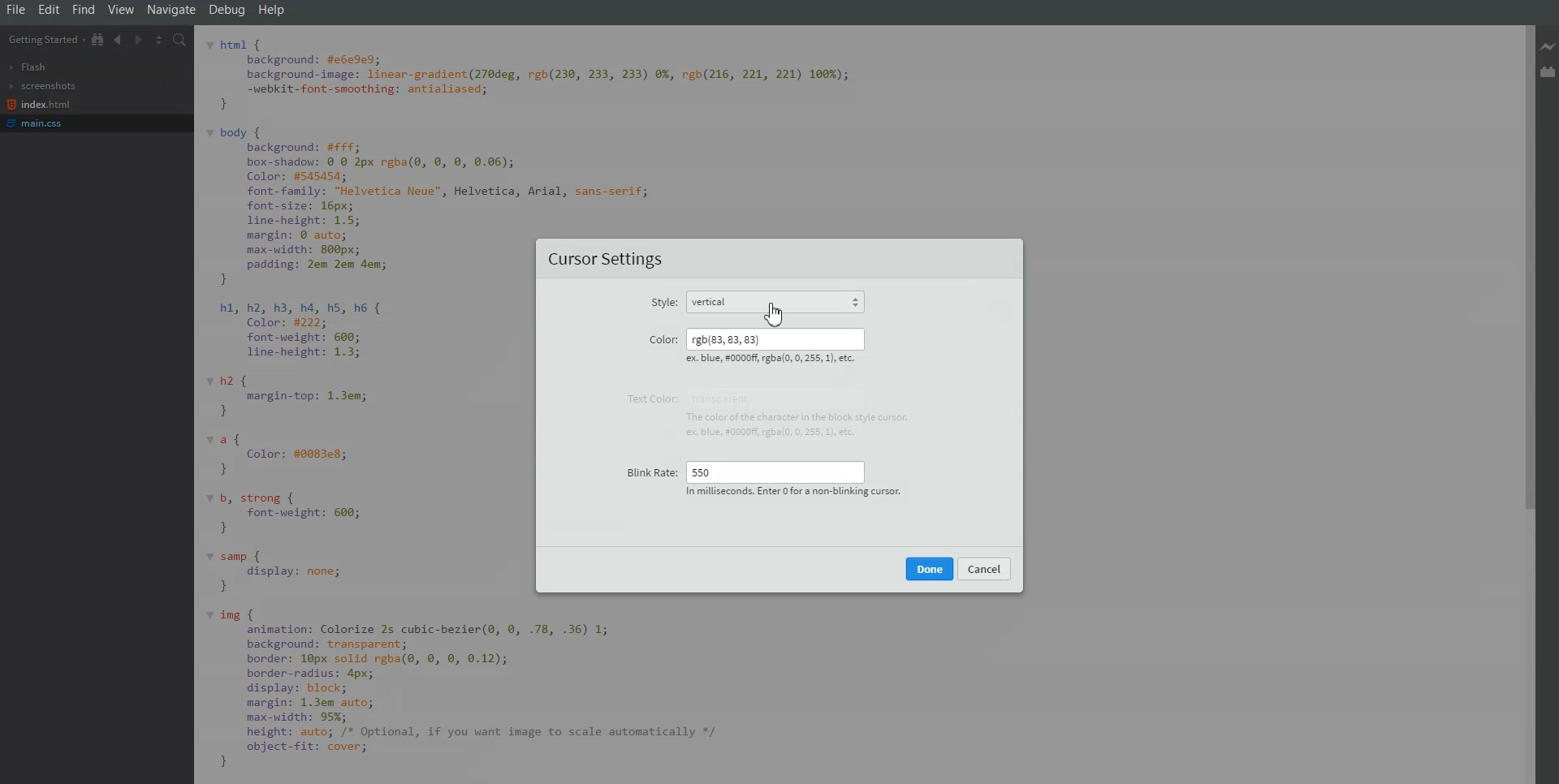 The height and width of the screenshot is (784, 1559). What do you see at coordinates (607, 261) in the screenshot?
I see `Cursor Setting` at bounding box center [607, 261].